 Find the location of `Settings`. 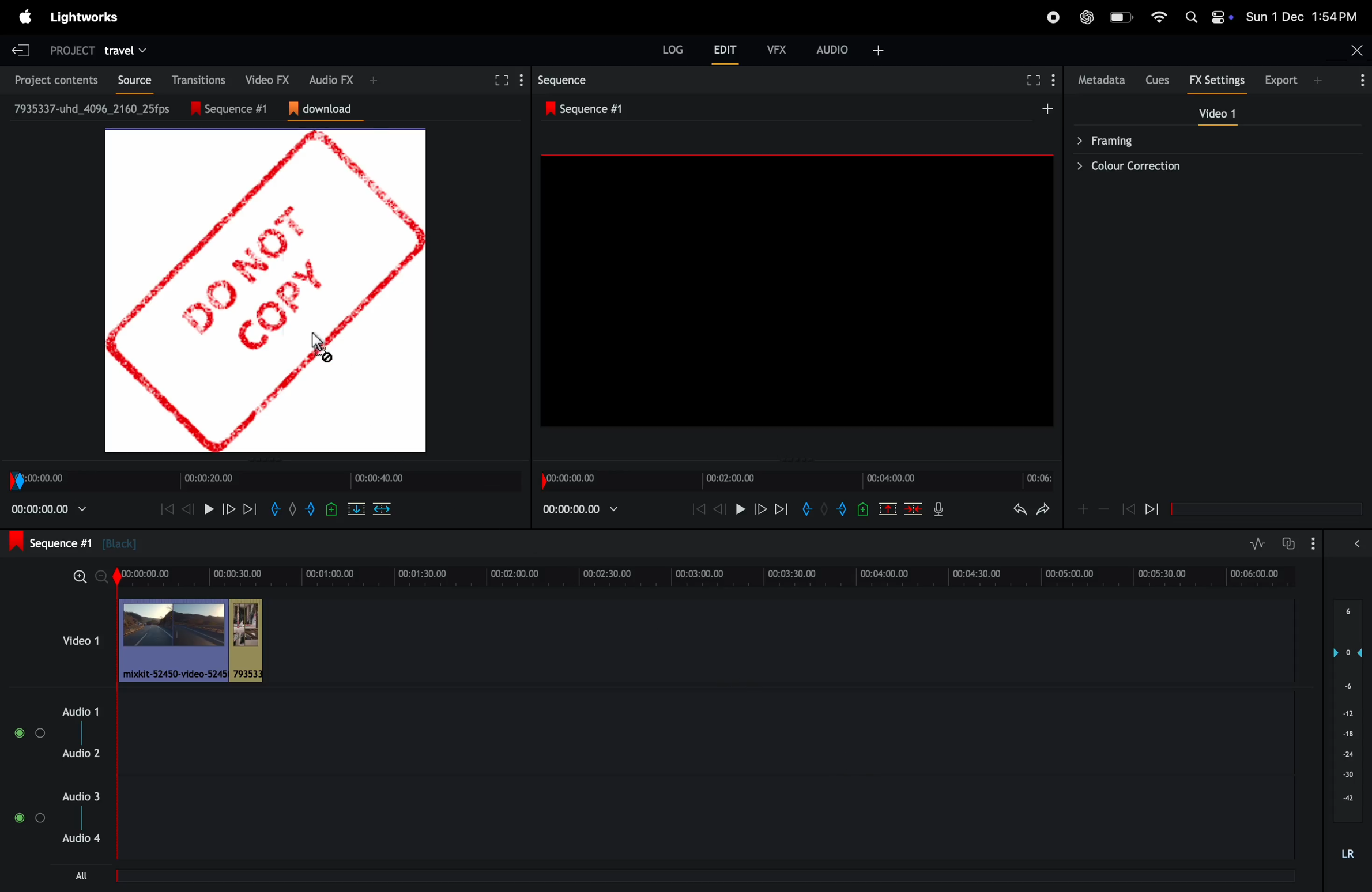

Settings is located at coordinates (1053, 80).